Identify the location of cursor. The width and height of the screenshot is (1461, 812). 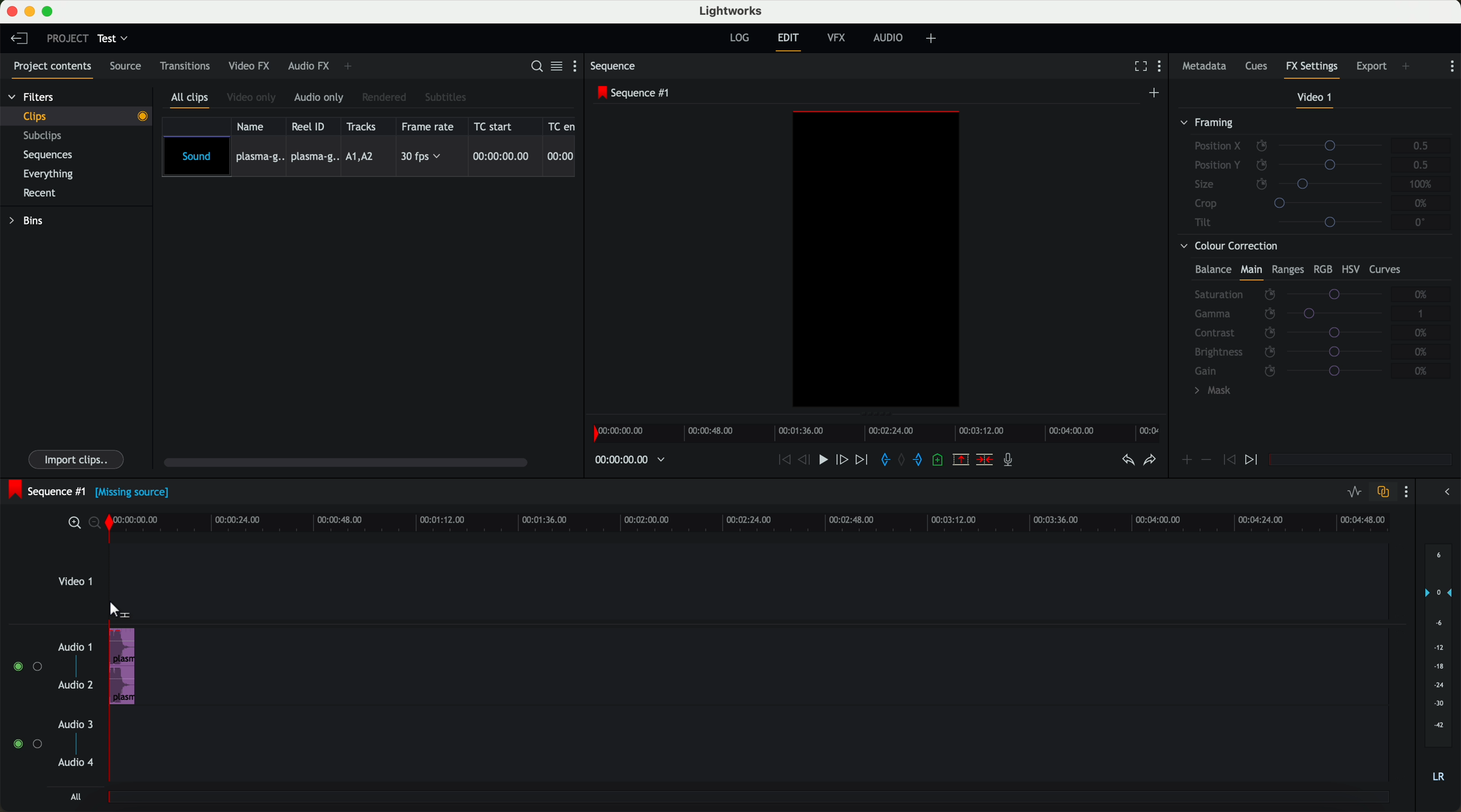
(117, 610).